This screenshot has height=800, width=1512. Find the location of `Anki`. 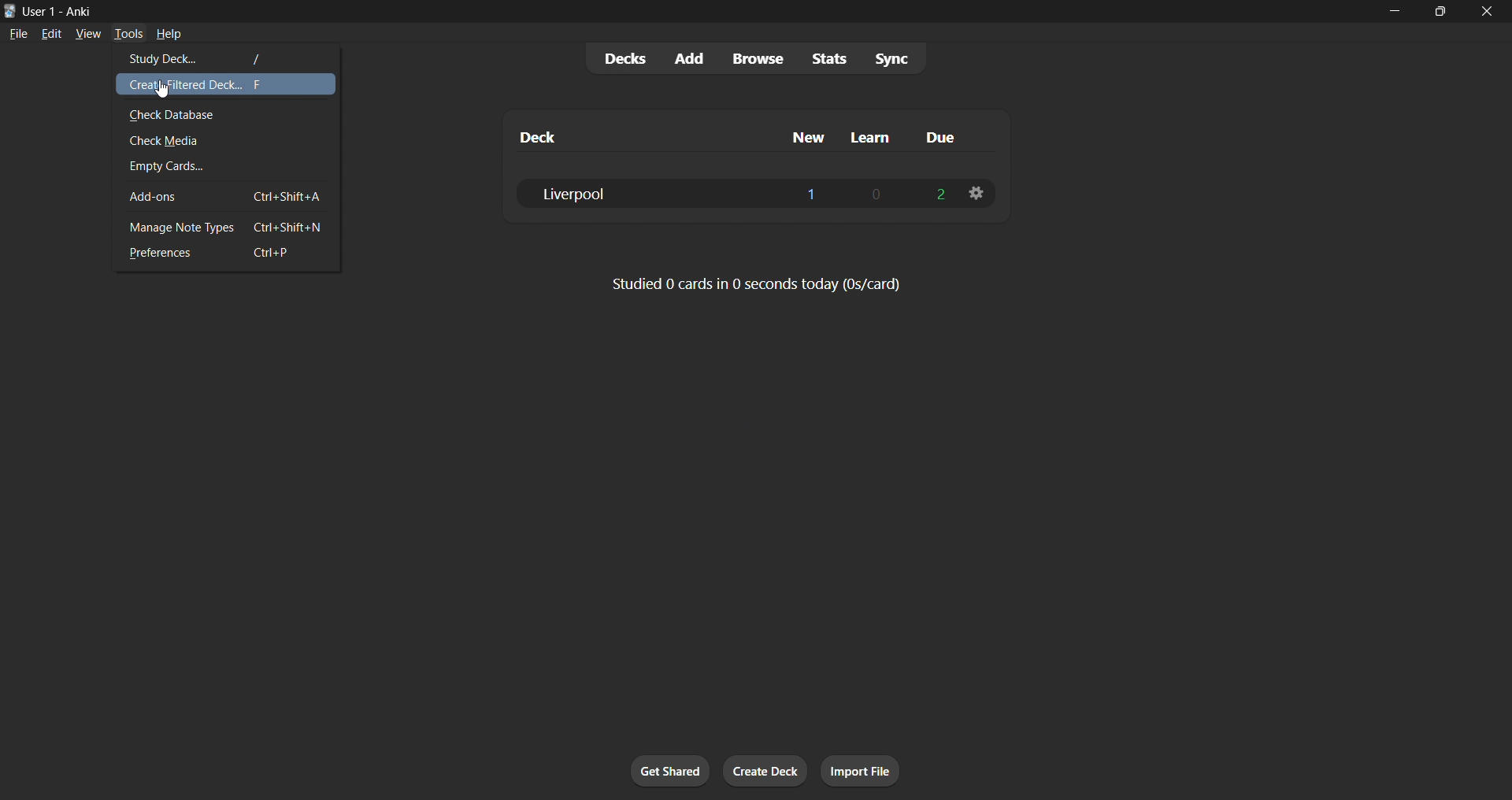

Anki is located at coordinates (78, 9).